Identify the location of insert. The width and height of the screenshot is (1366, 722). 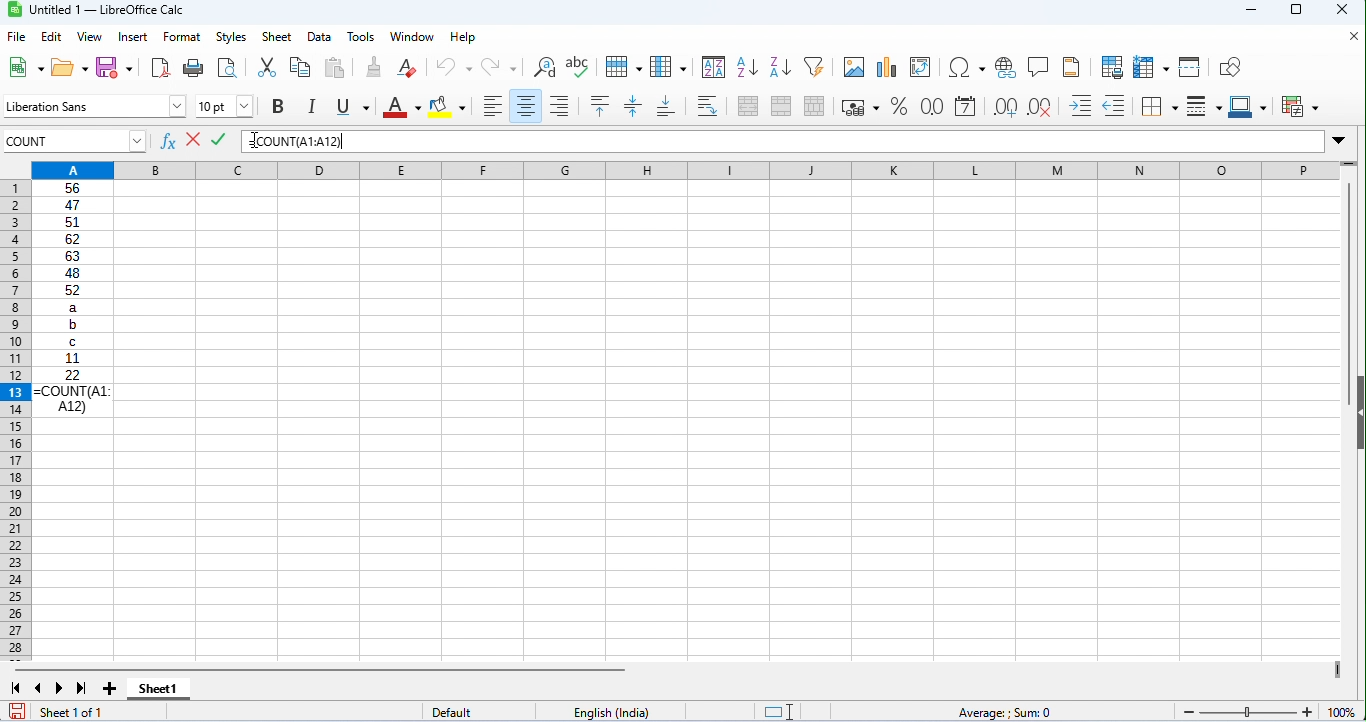
(132, 38).